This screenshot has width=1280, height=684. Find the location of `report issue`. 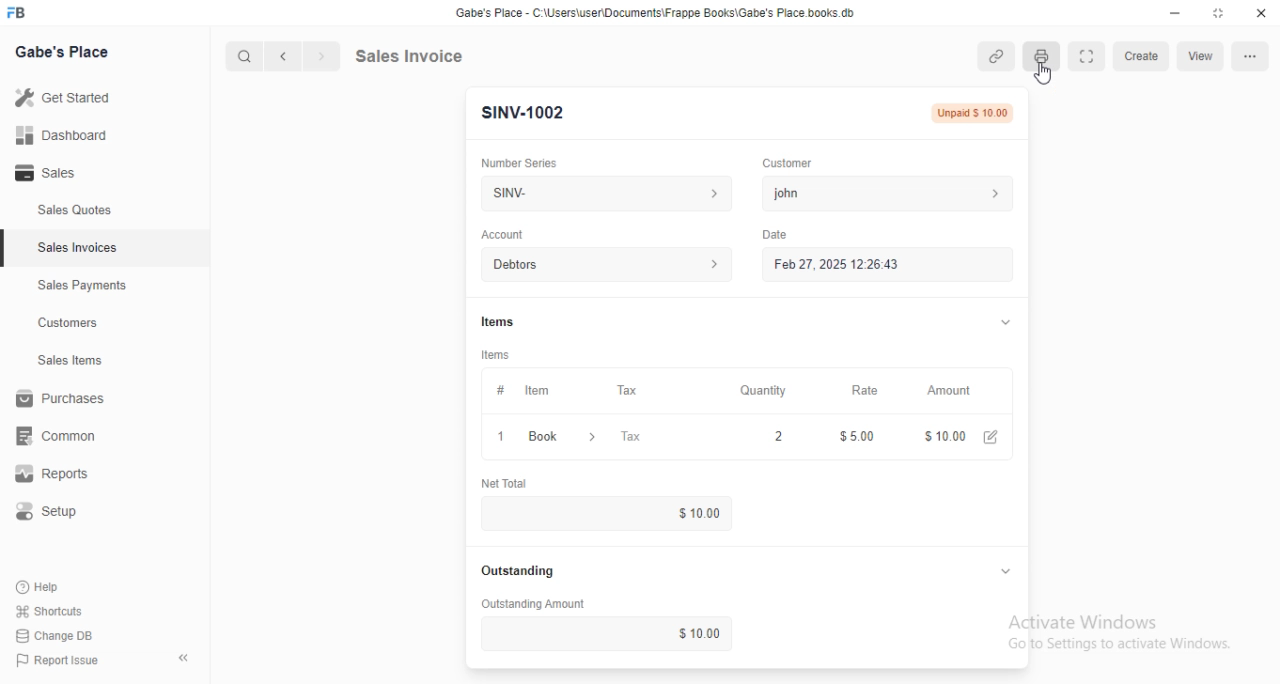

report issue is located at coordinates (57, 660).